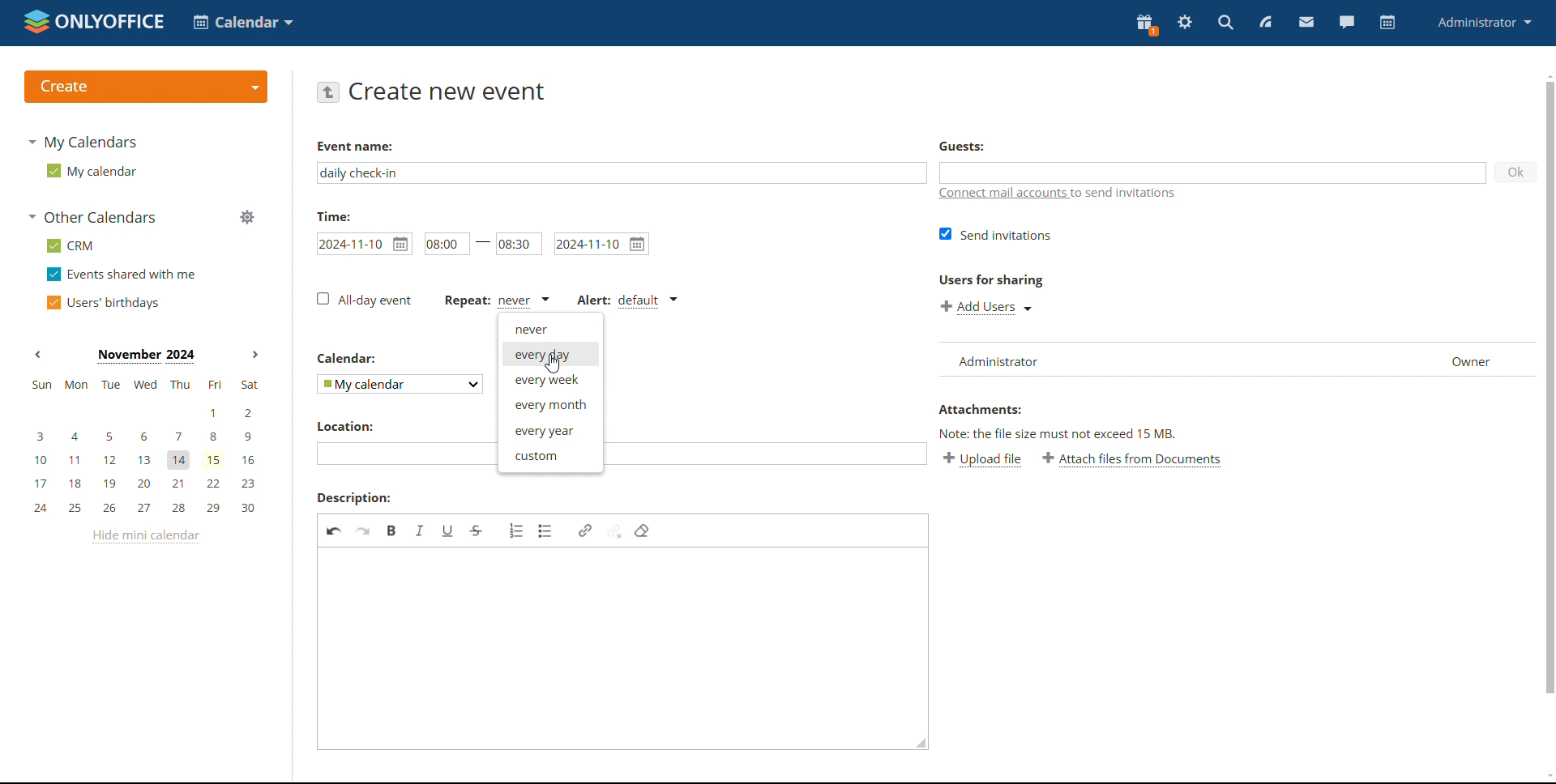  What do you see at coordinates (551, 406) in the screenshot?
I see `every month` at bounding box center [551, 406].